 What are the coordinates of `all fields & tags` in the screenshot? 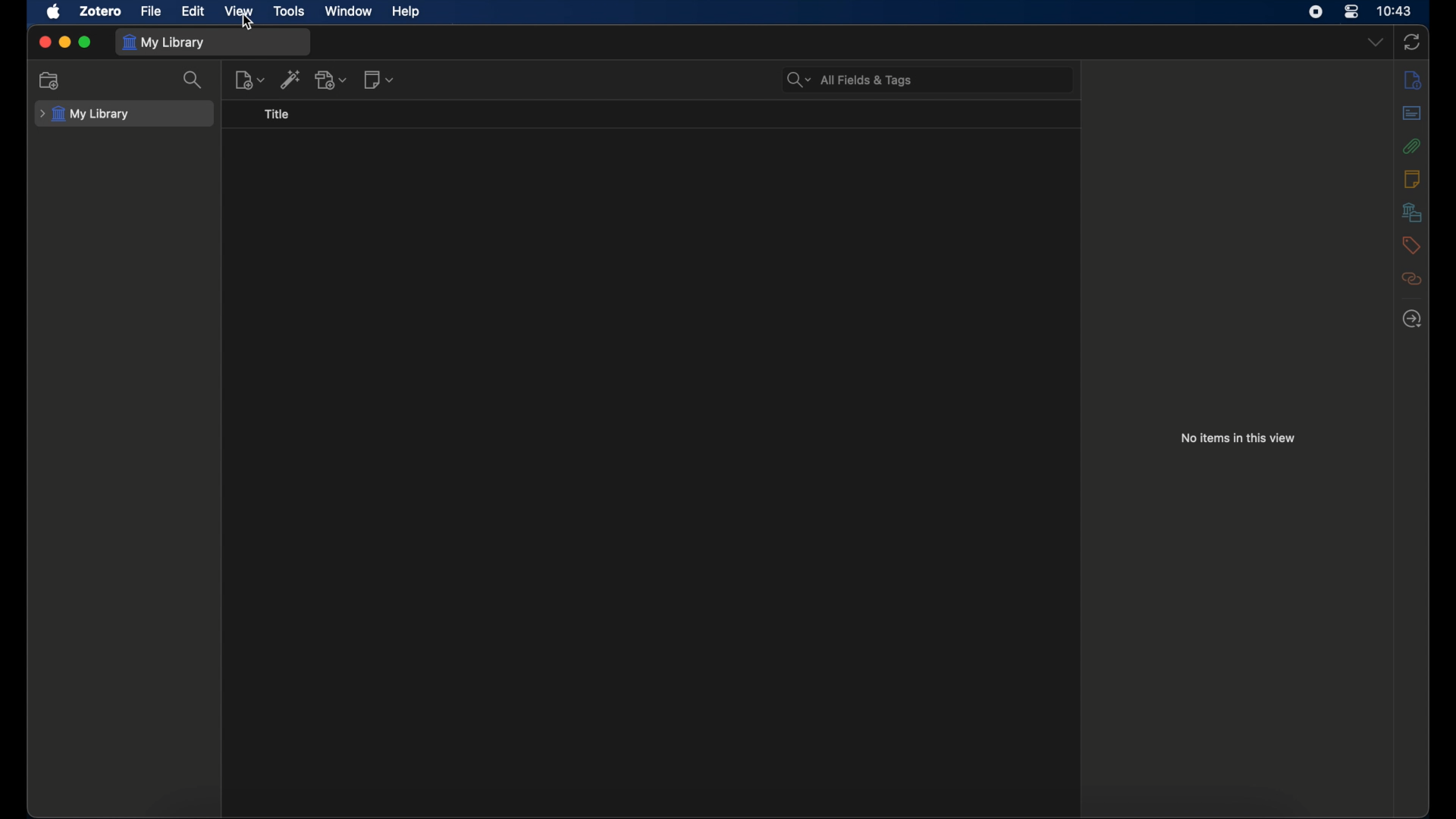 It's located at (851, 79).